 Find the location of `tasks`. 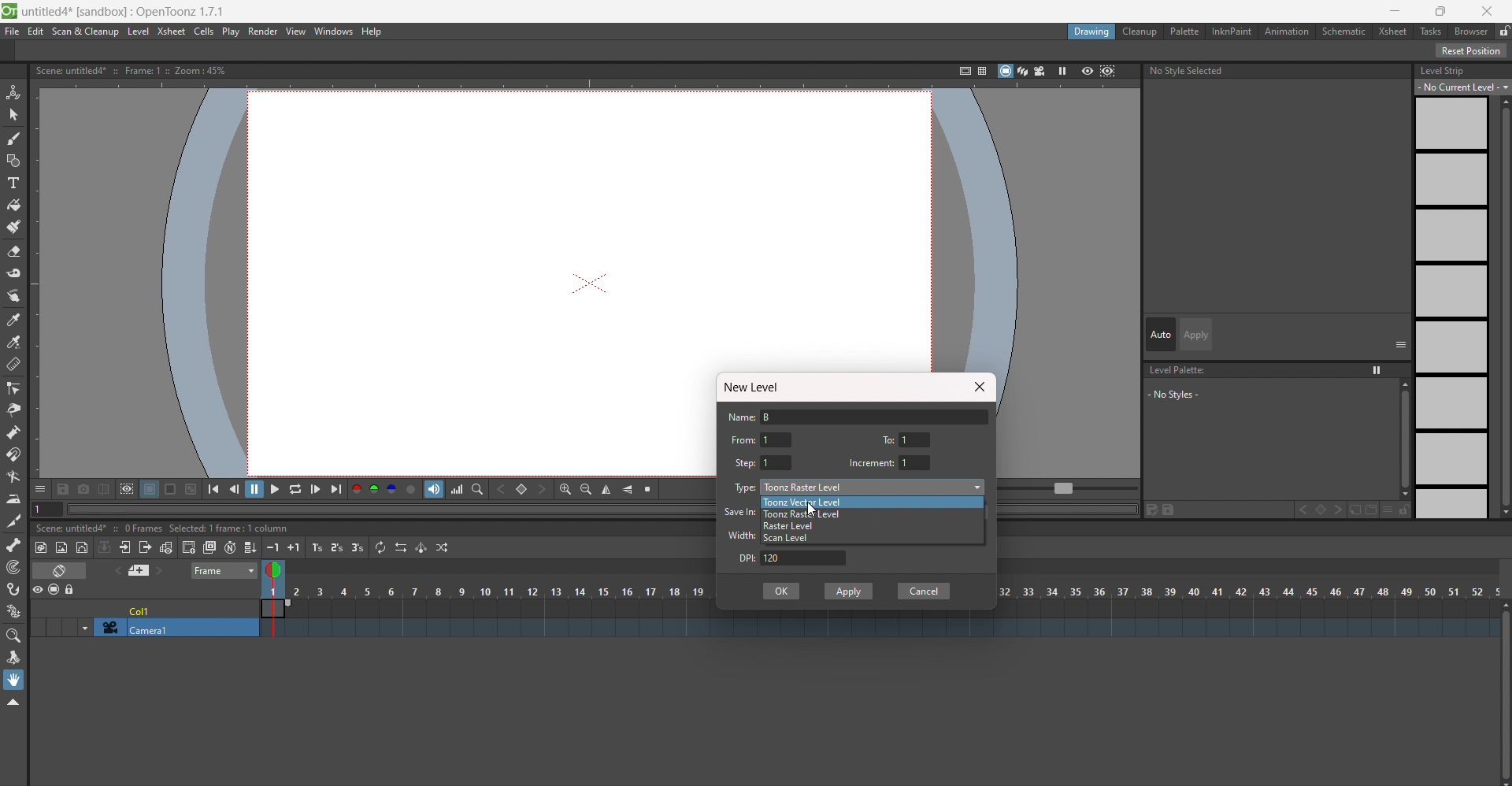

tasks is located at coordinates (1430, 32).